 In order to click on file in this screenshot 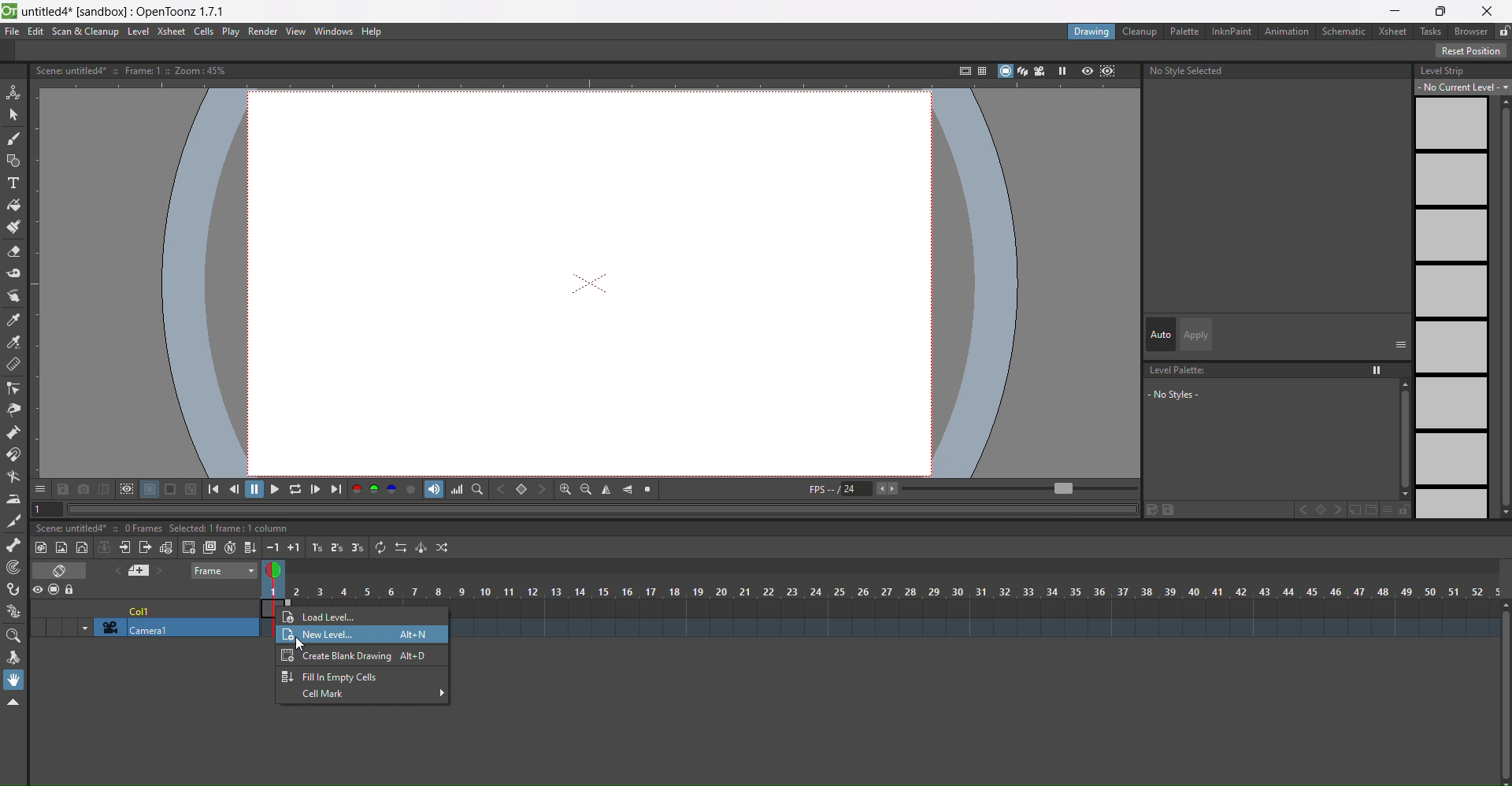, I will do `click(13, 32)`.